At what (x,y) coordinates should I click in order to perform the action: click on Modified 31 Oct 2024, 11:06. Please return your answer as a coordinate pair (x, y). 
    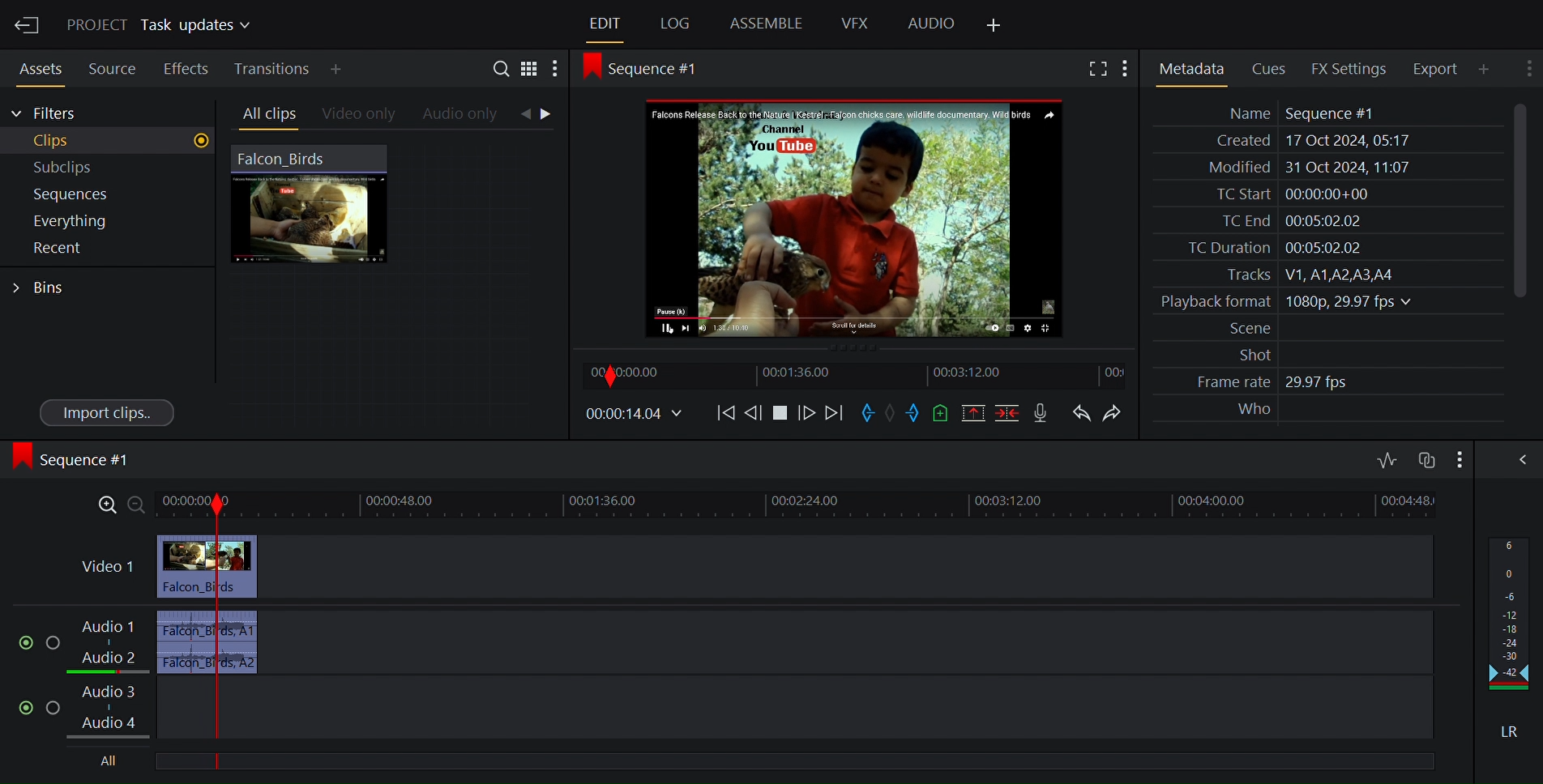
    Looking at the image, I should click on (1301, 168).